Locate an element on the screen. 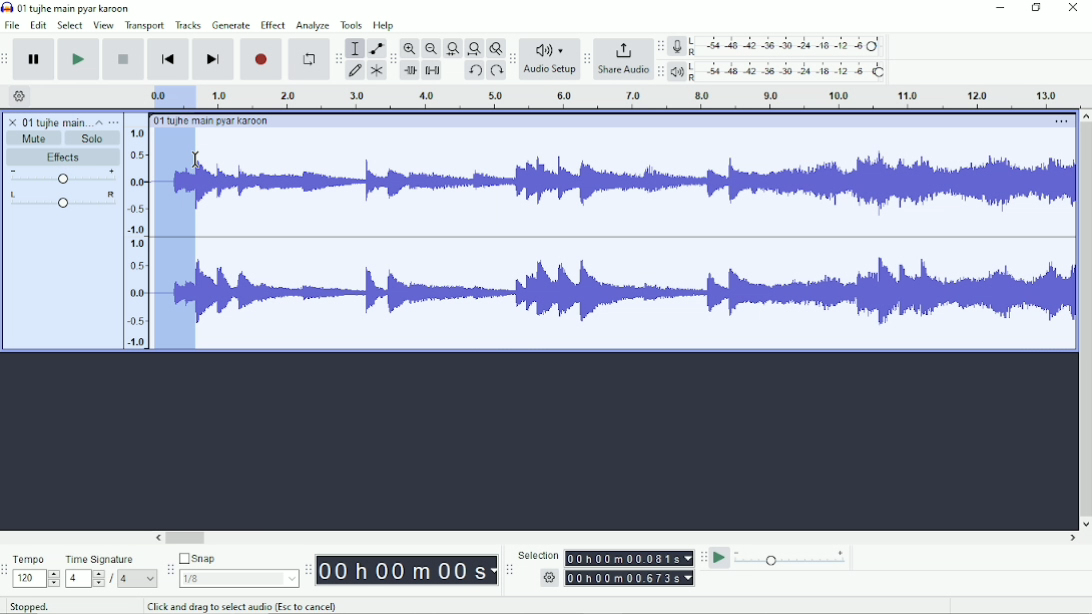 The height and width of the screenshot is (614, 1092). Selection tool is located at coordinates (355, 47).